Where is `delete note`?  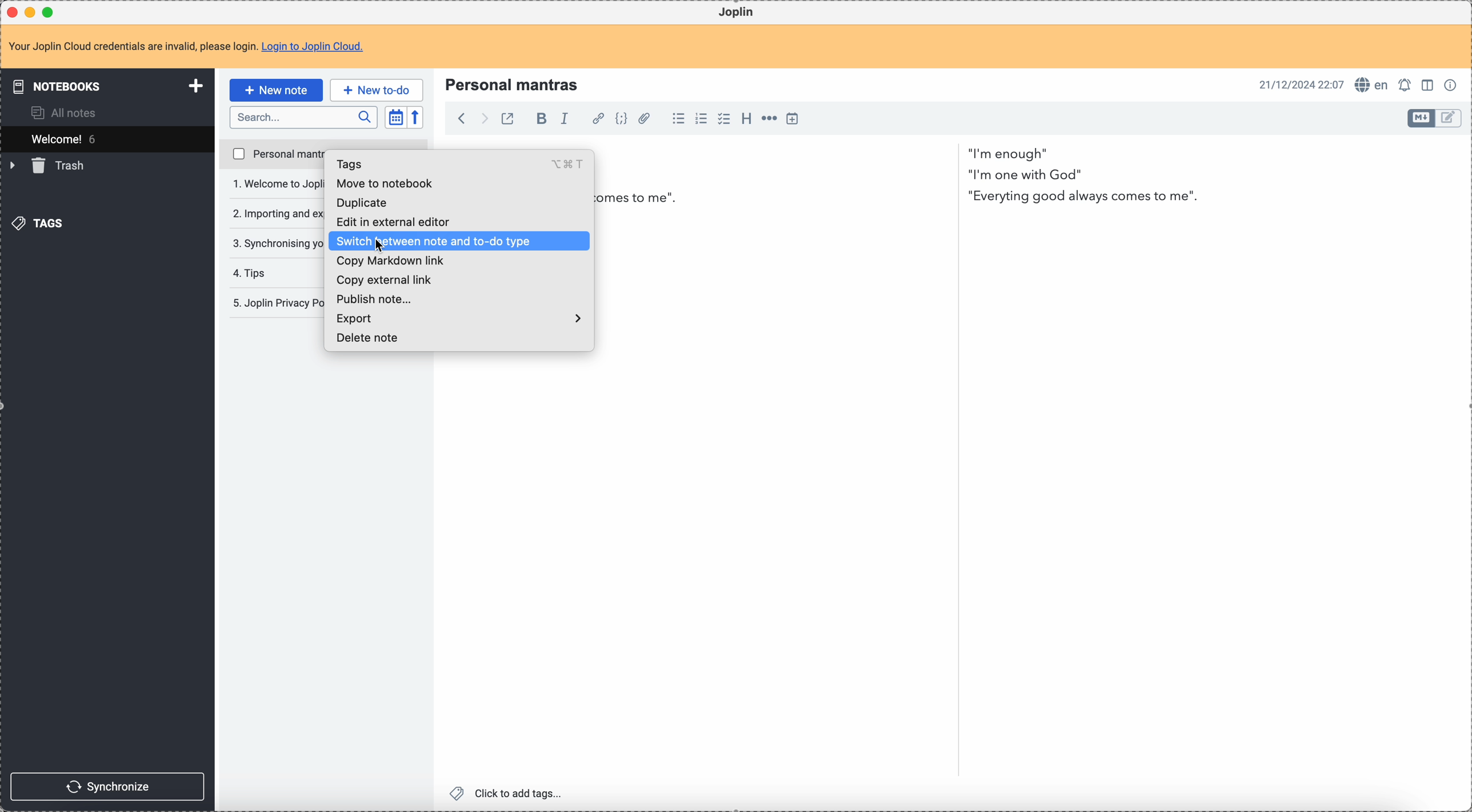
delete note is located at coordinates (370, 338).